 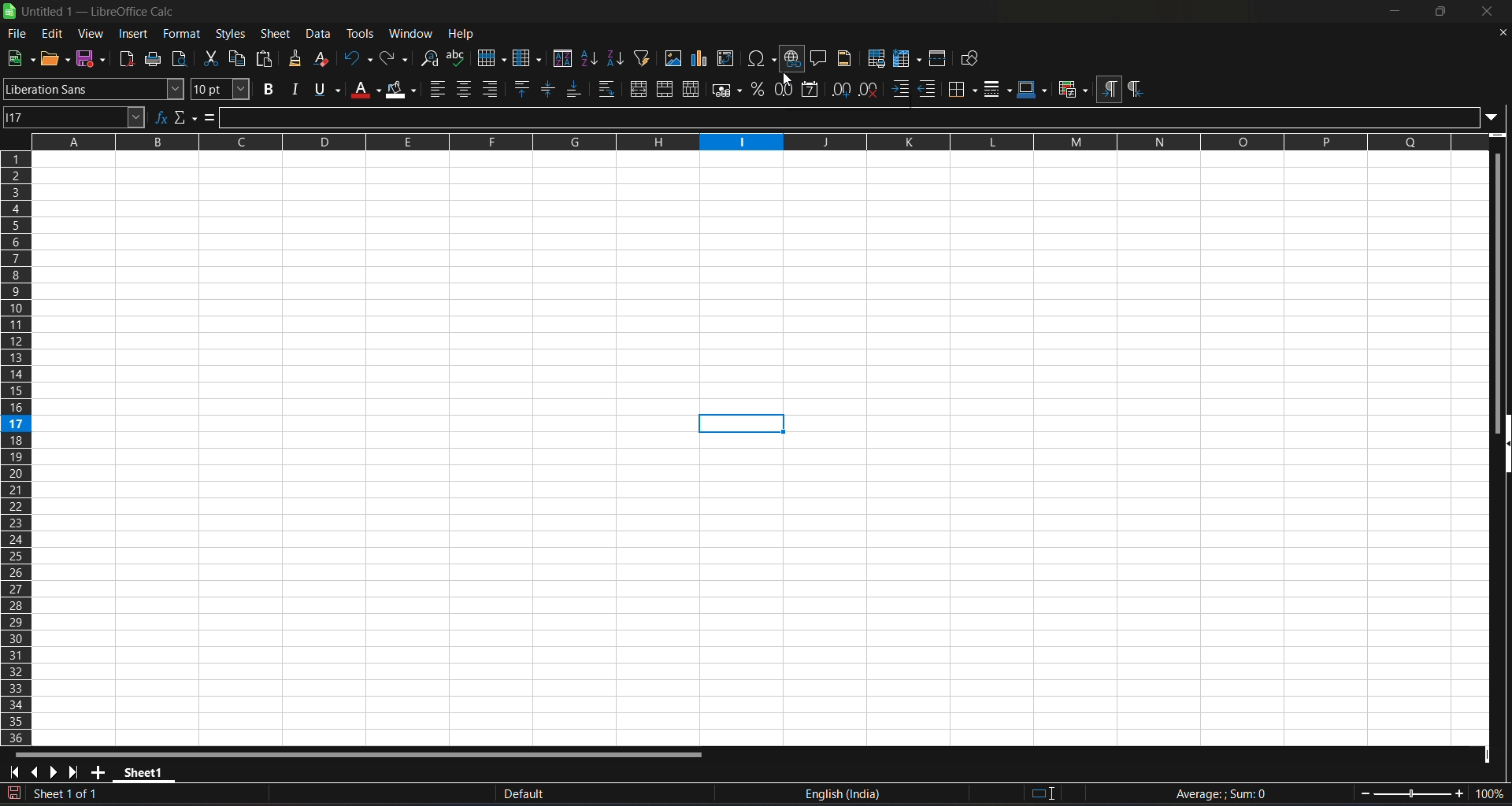 I want to click on decrease indent, so click(x=929, y=90).